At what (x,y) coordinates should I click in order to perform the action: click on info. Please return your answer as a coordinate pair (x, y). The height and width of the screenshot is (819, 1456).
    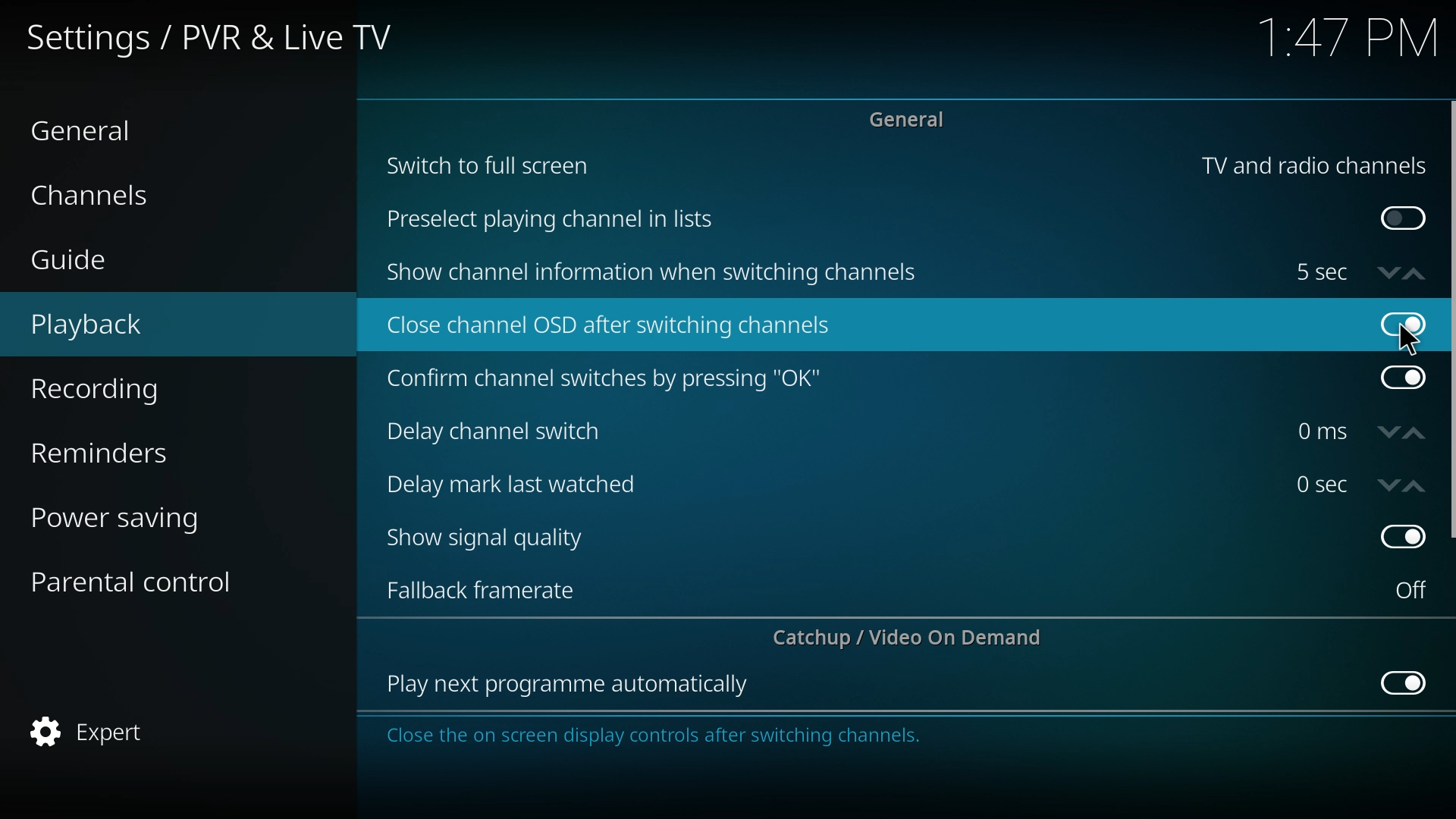
    Looking at the image, I should click on (701, 736).